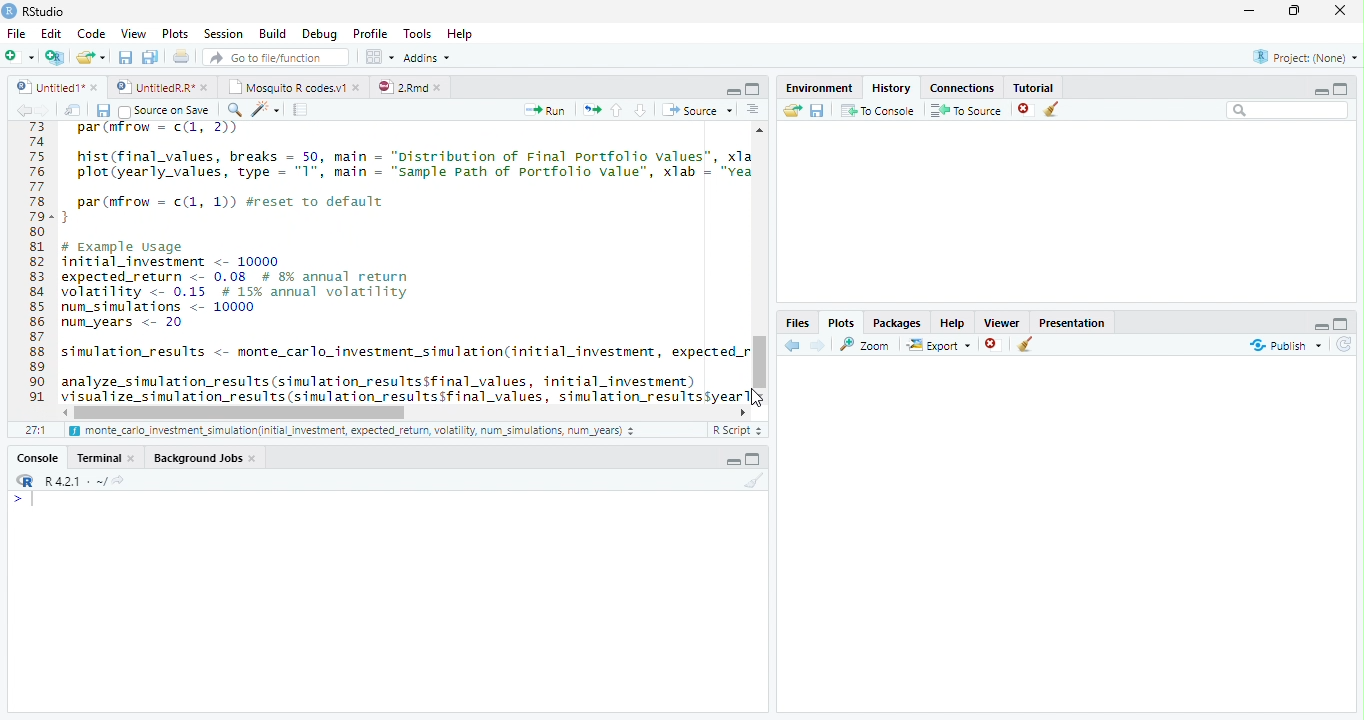 The image size is (1364, 720). I want to click on Line Numbers, so click(35, 270).